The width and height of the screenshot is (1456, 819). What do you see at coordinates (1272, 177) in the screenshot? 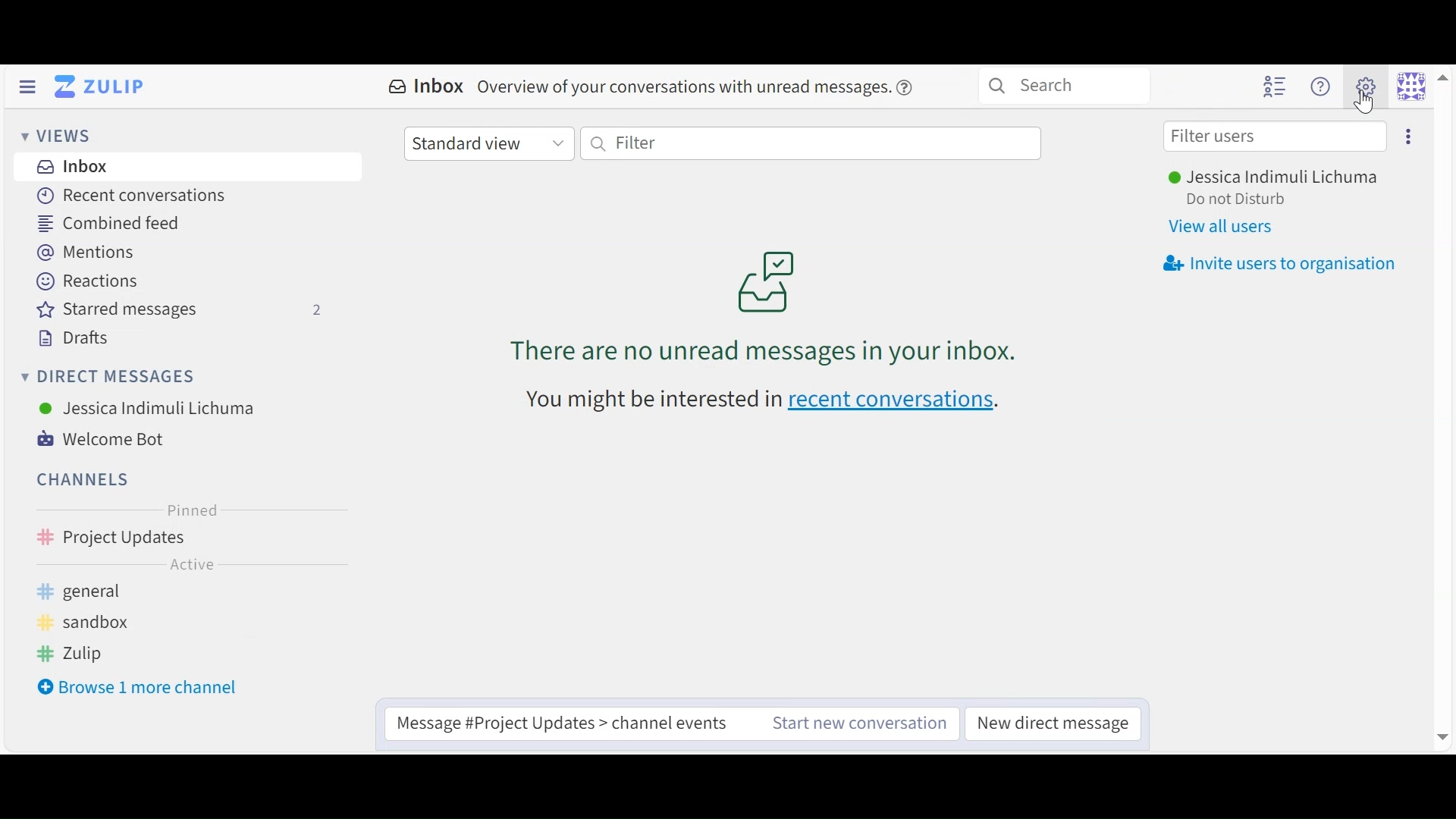
I see `User` at bounding box center [1272, 177].